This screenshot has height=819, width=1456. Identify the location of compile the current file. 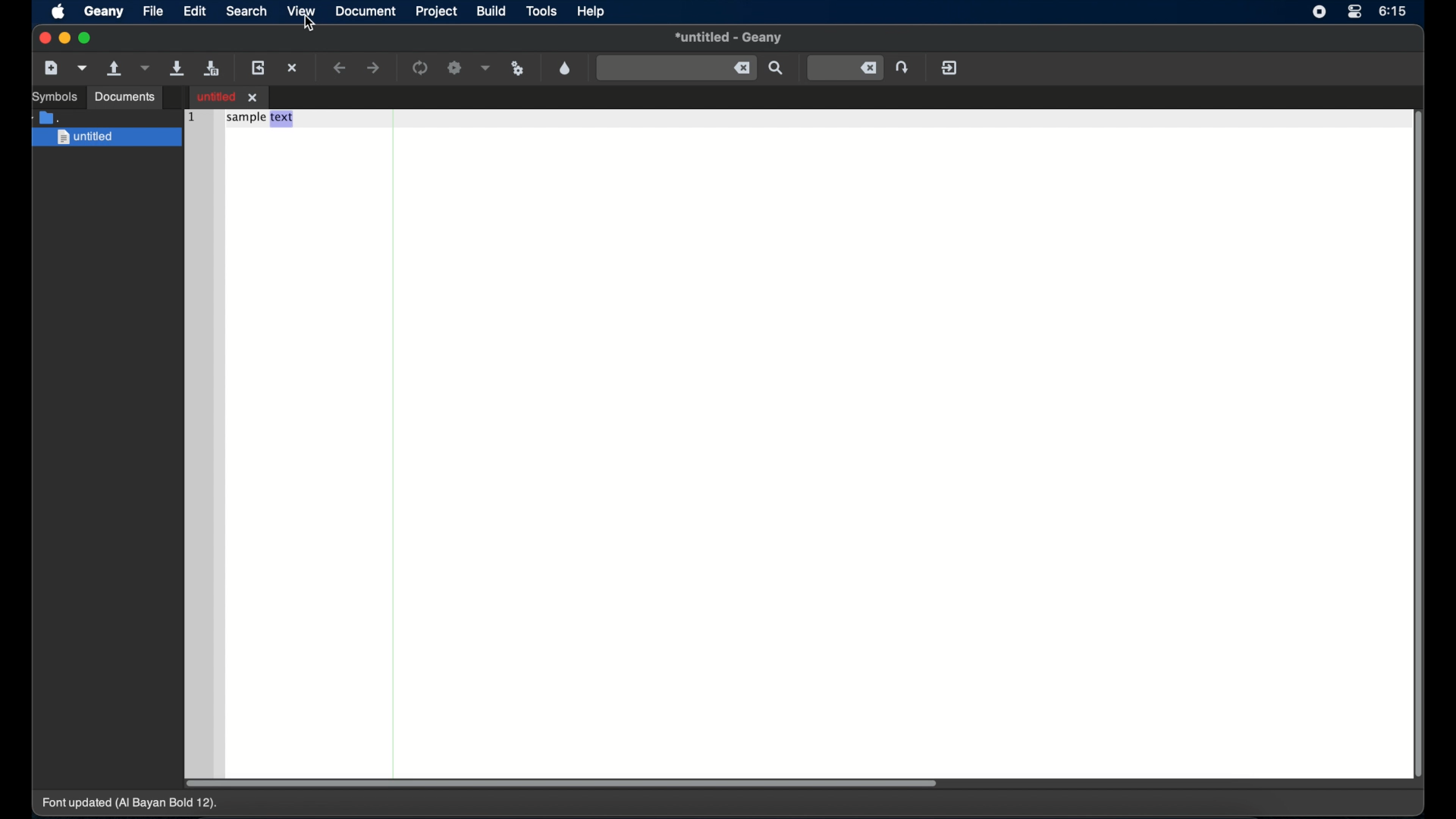
(421, 67).